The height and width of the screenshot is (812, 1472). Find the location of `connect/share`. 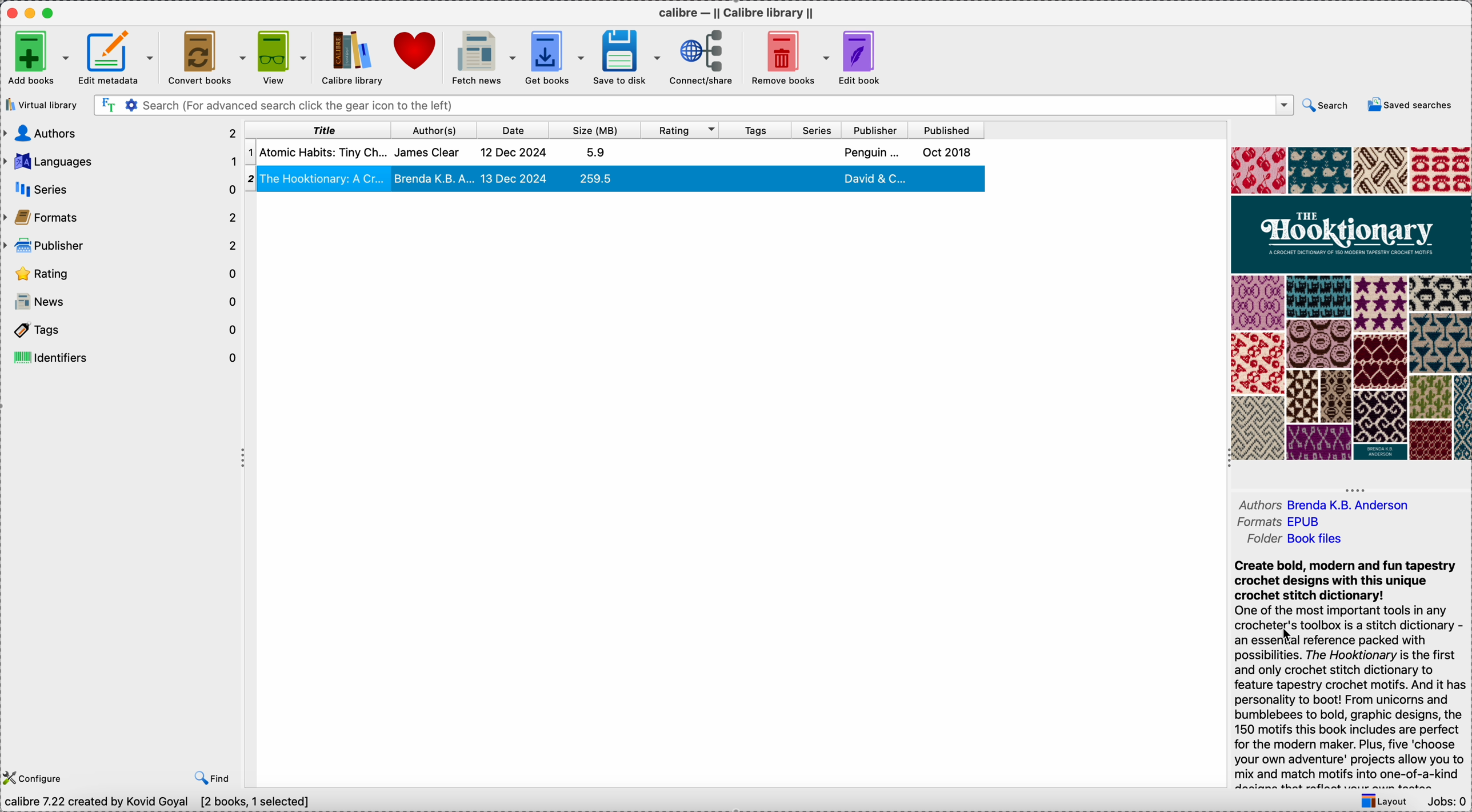

connect/share is located at coordinates (706, 58).